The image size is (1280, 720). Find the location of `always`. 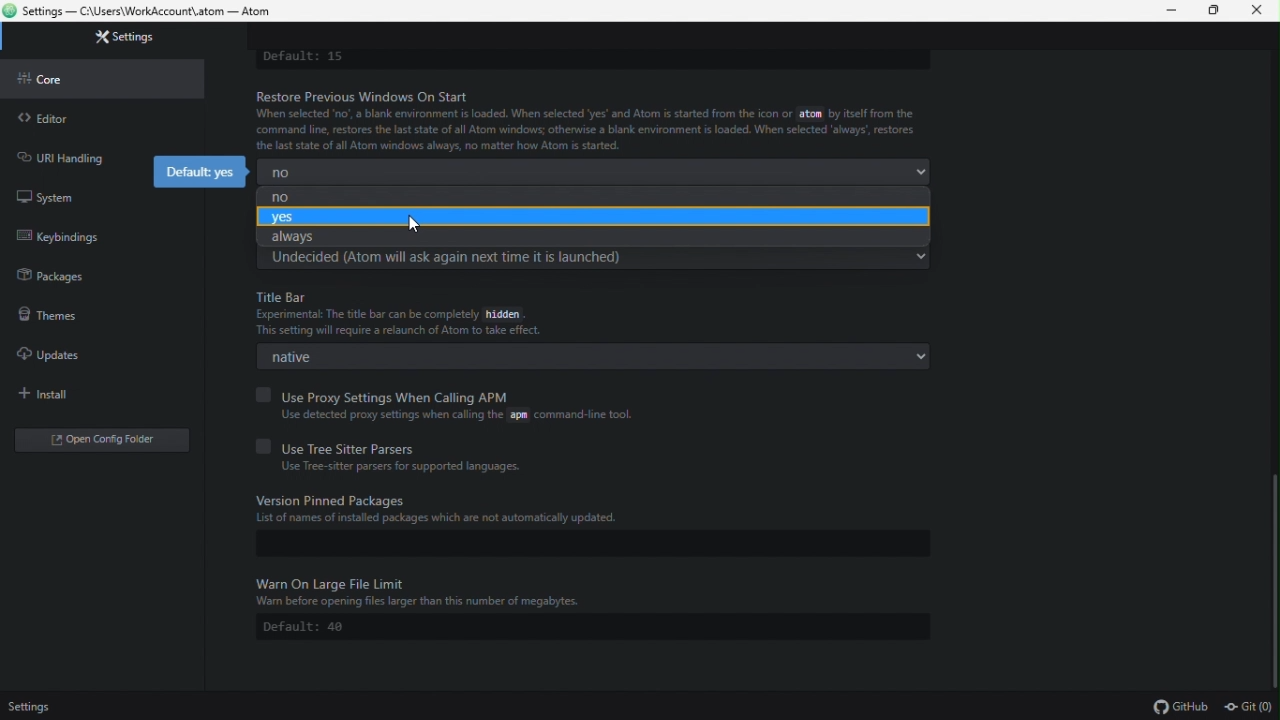

always is located at coordinates (582, 238).